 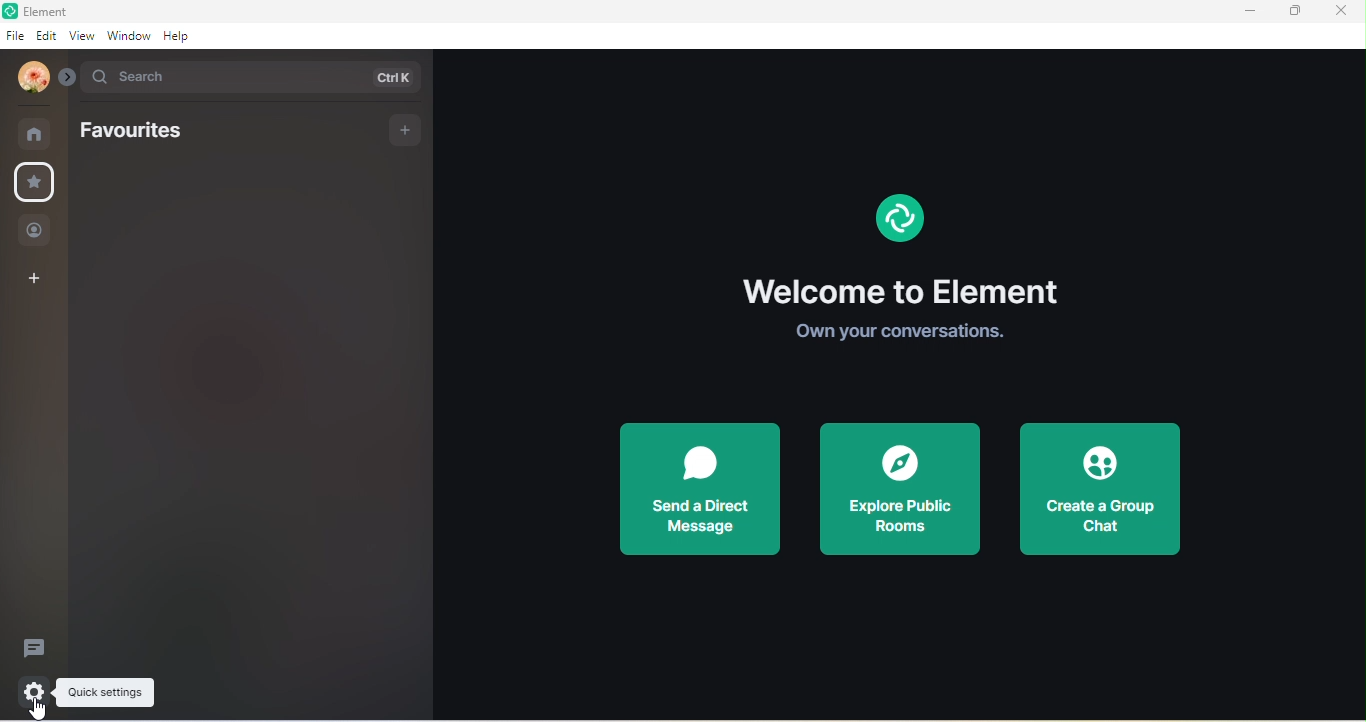 I want to click on view, so click(x=80, y=38).